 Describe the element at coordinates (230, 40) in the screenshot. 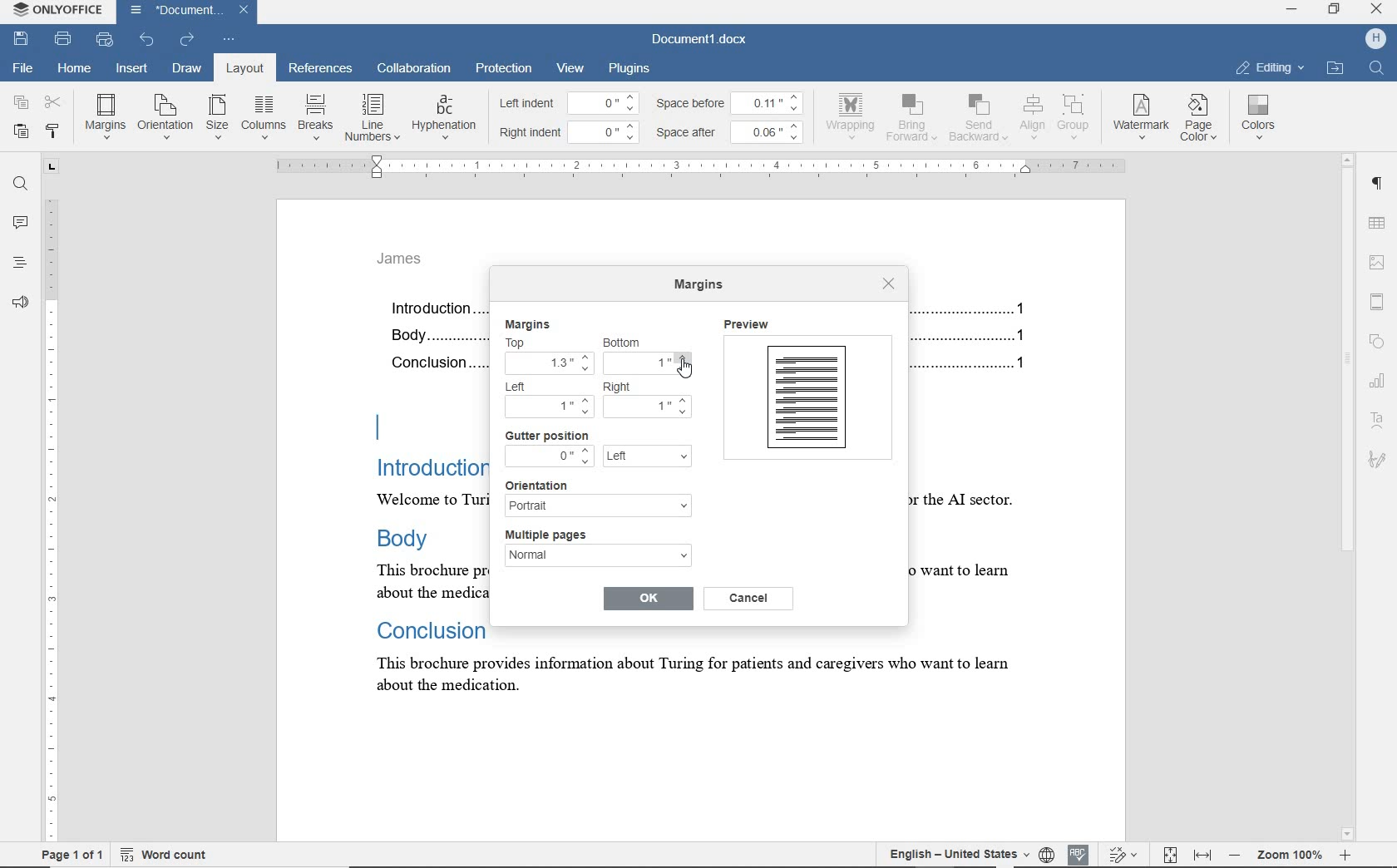

I see `customize quick access ` at that location.